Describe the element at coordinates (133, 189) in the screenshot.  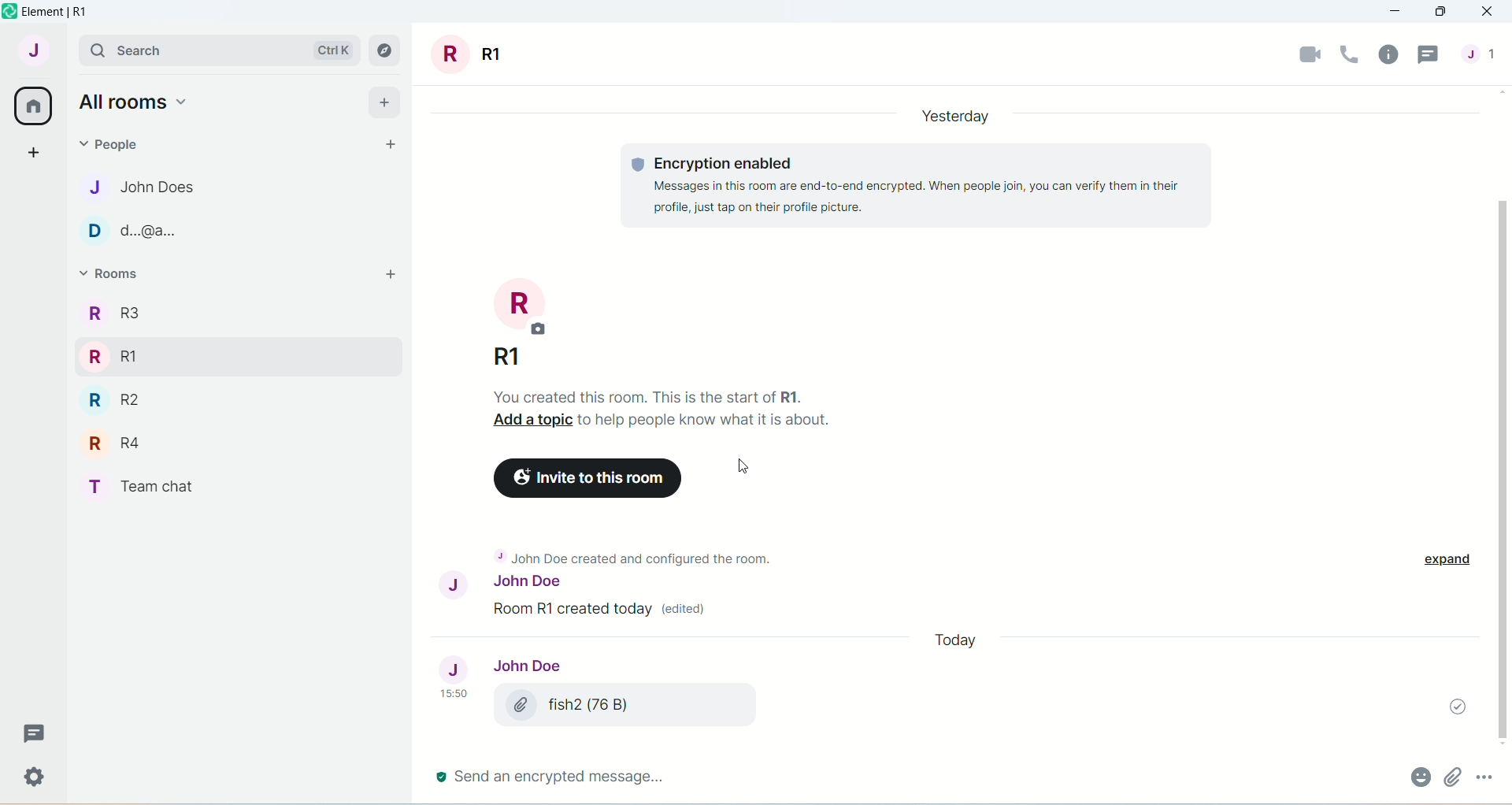
I see `J John Does` at that location.